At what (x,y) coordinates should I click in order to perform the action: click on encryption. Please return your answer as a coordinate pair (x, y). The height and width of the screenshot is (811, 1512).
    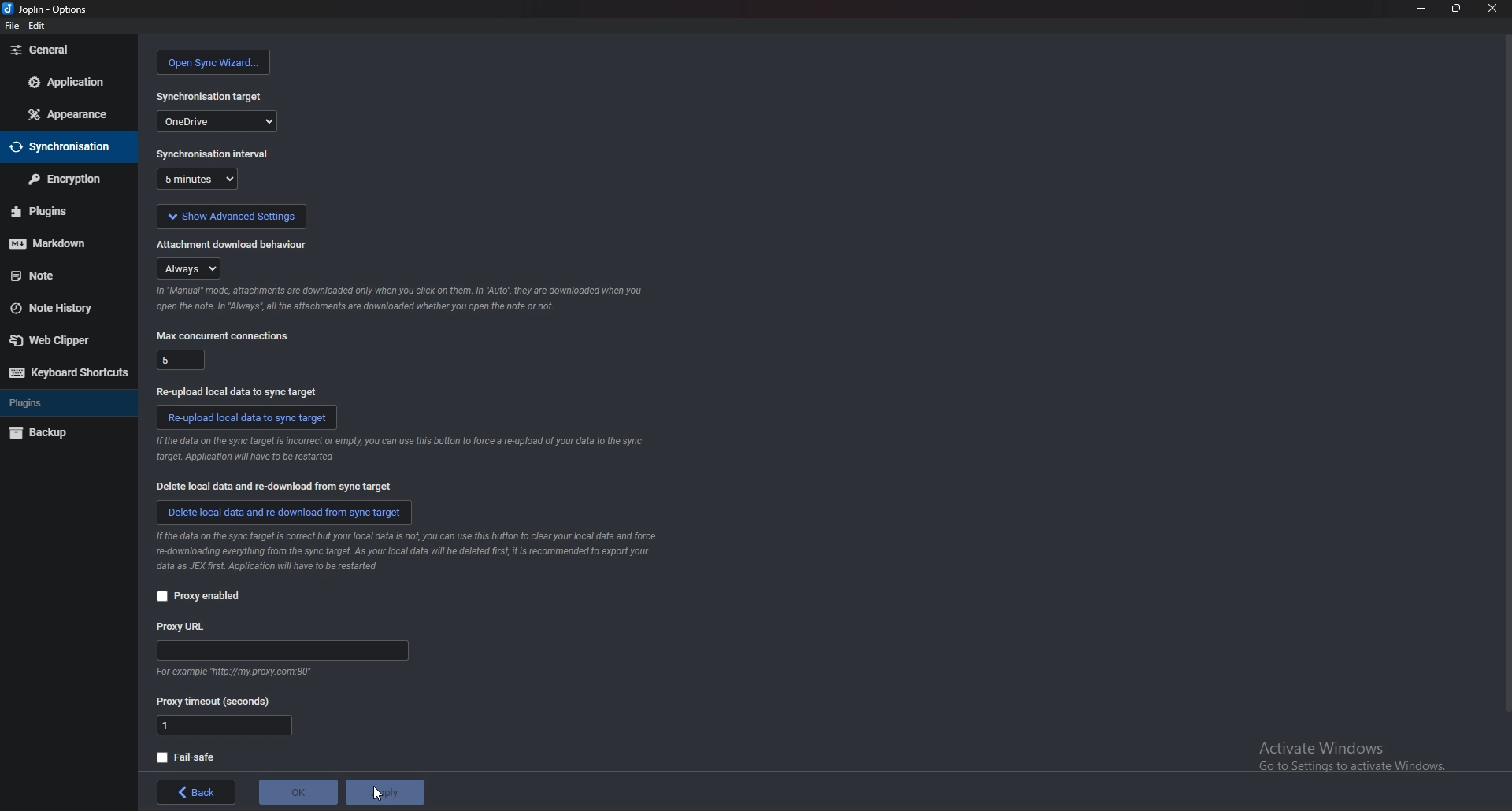
    Looking at the image, I should click on (66, 178).